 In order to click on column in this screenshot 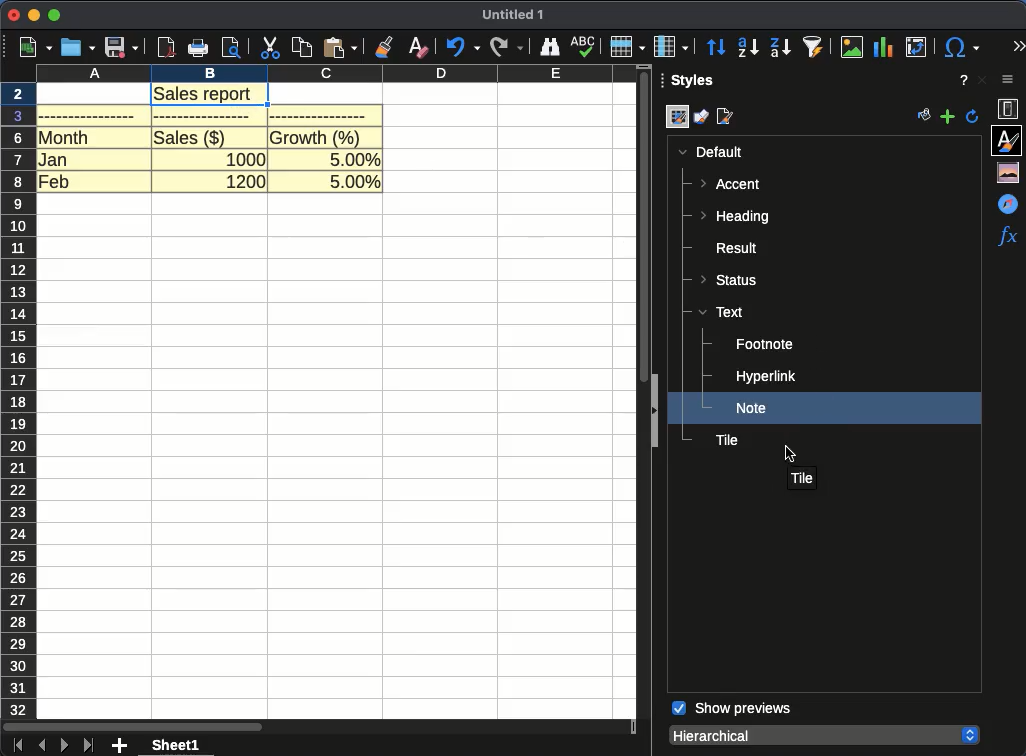, I will do `click(671, 47)`.